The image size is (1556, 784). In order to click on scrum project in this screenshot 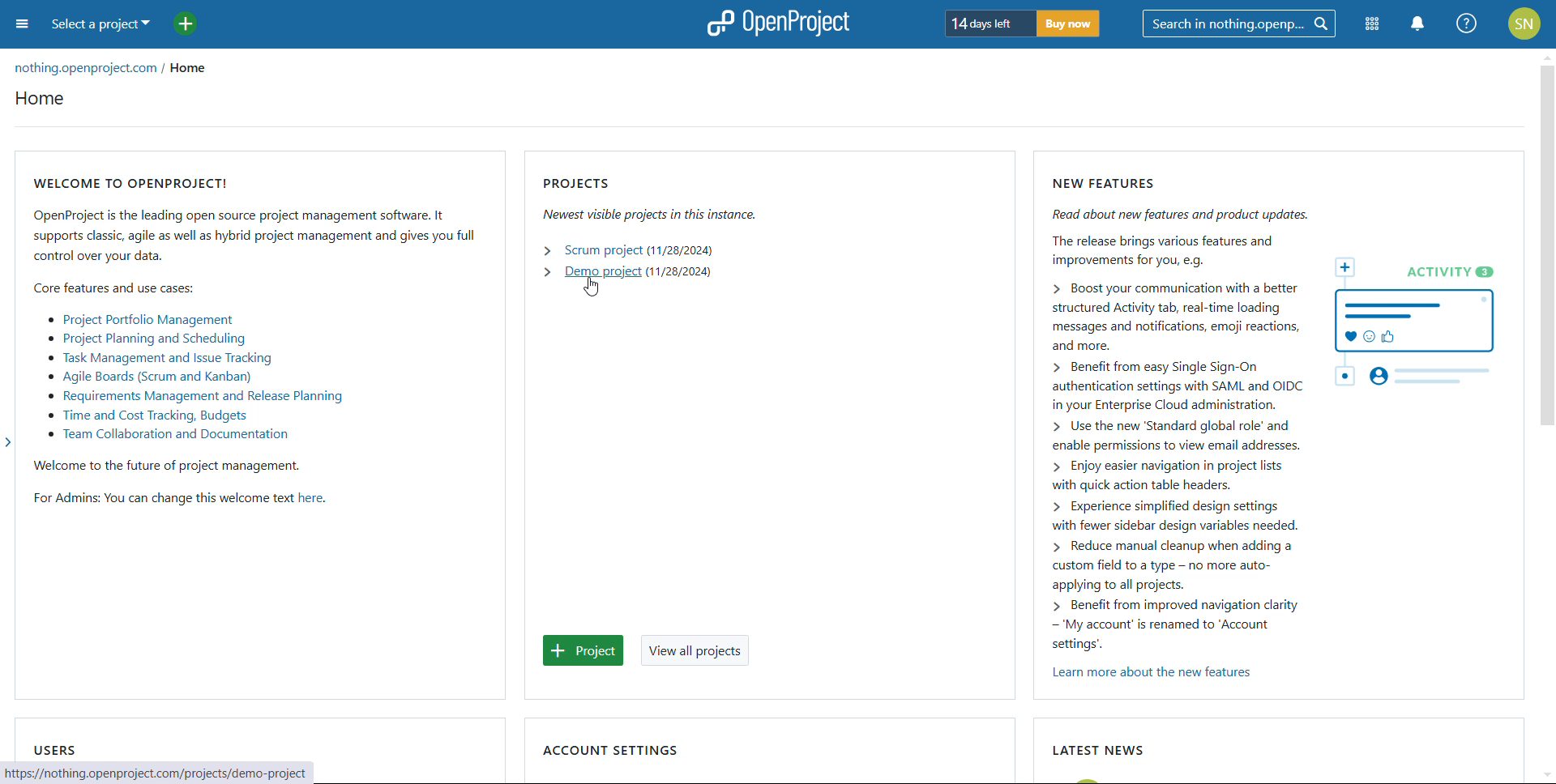, I will do `click(601, 251)`.